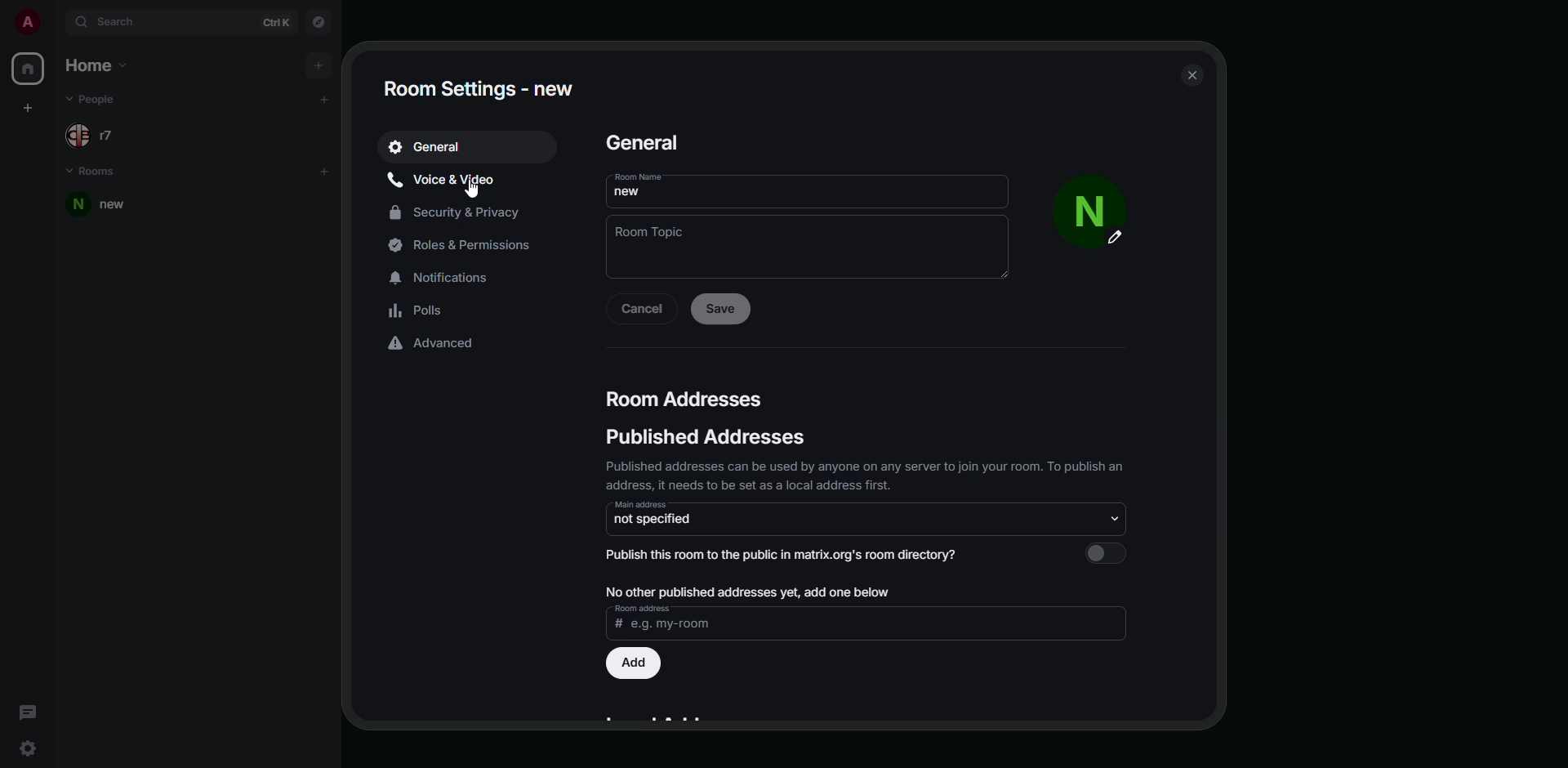  I want to click on save, so click(723, 310).